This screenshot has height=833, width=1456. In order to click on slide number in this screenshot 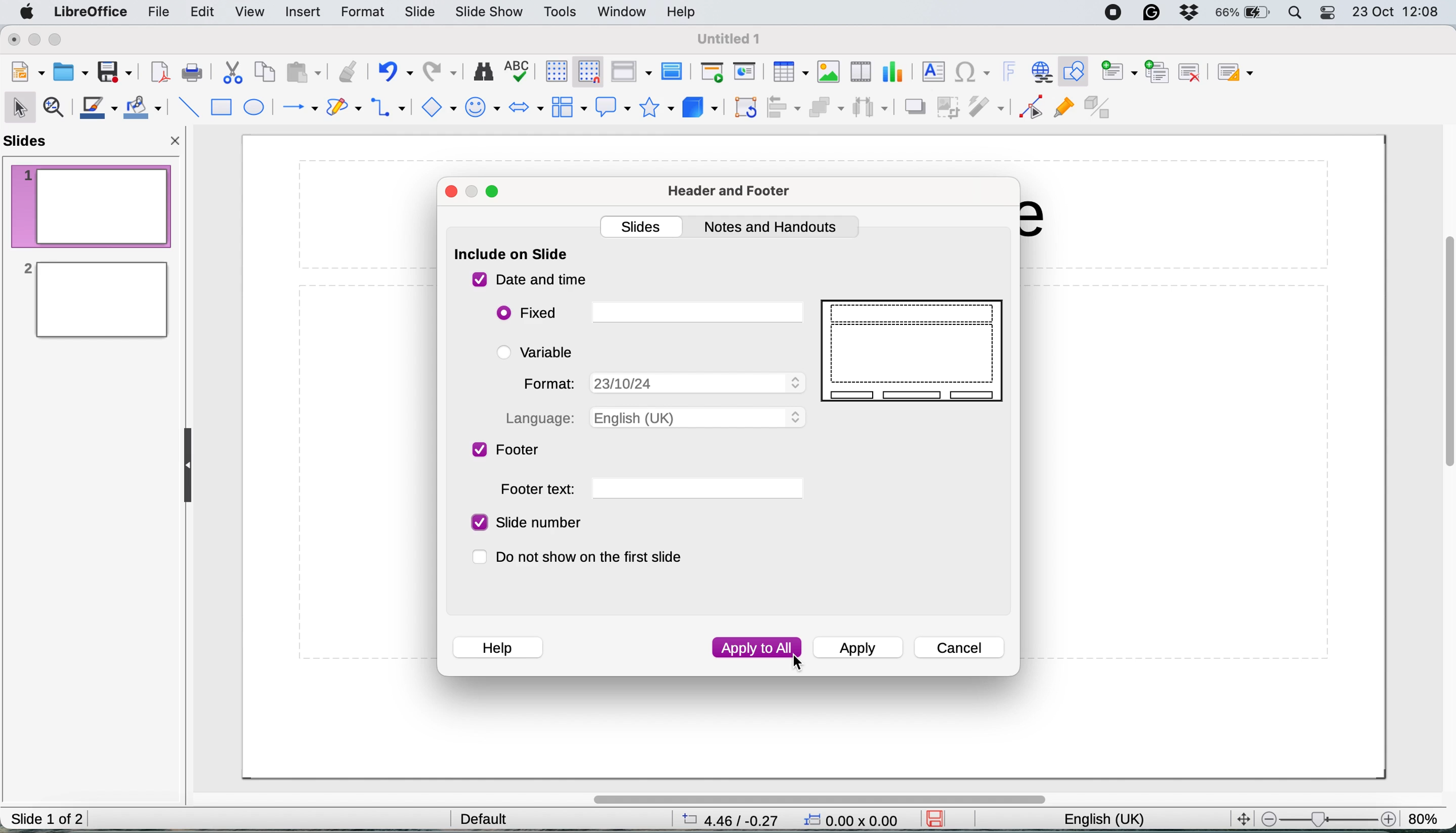, I will do `click(526, 522)`.